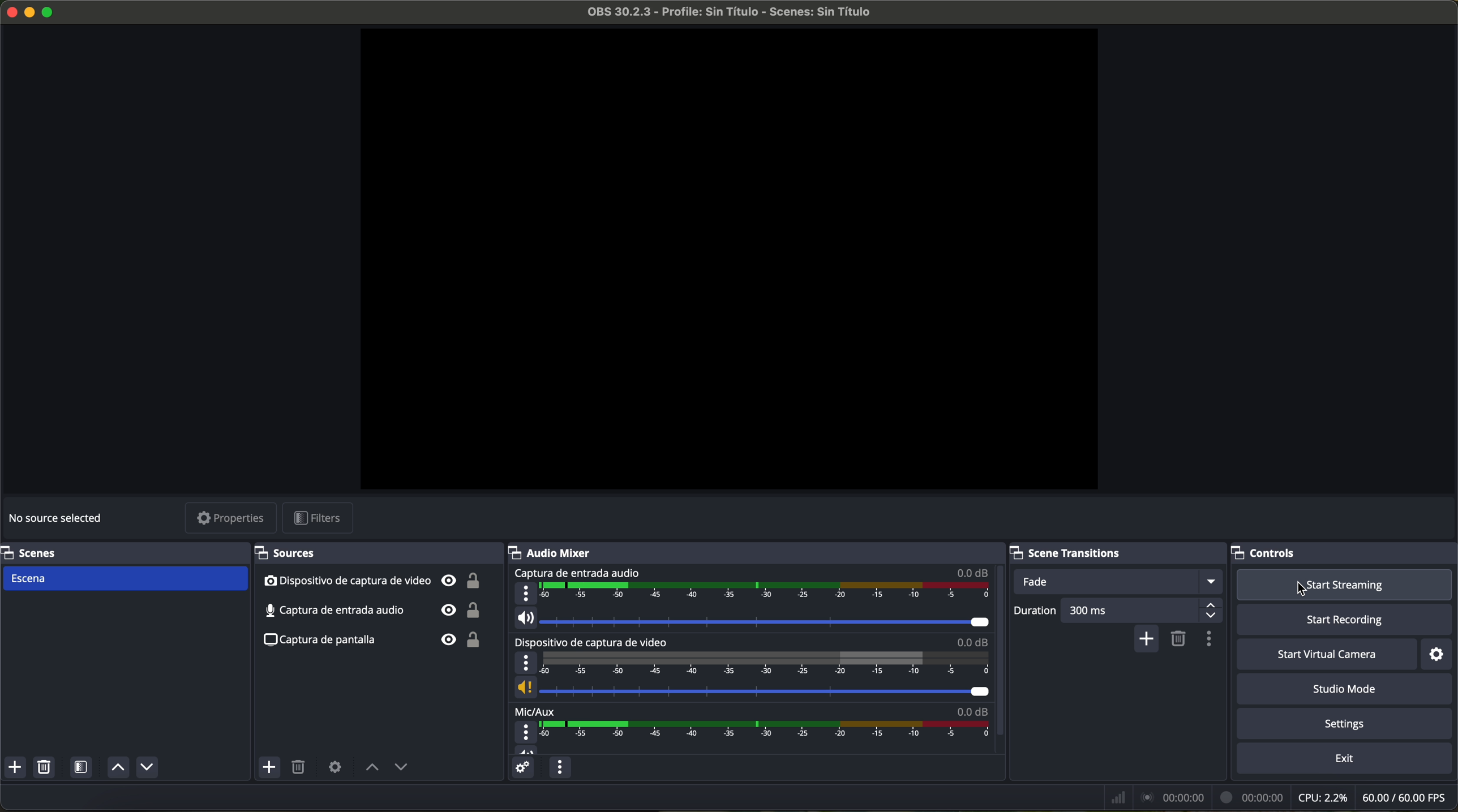 This screenshot has height=812, width=1458. What do you see at coordinates (374, 553) in the screenshot?
I see `sources` at bounding box center [374, 553].